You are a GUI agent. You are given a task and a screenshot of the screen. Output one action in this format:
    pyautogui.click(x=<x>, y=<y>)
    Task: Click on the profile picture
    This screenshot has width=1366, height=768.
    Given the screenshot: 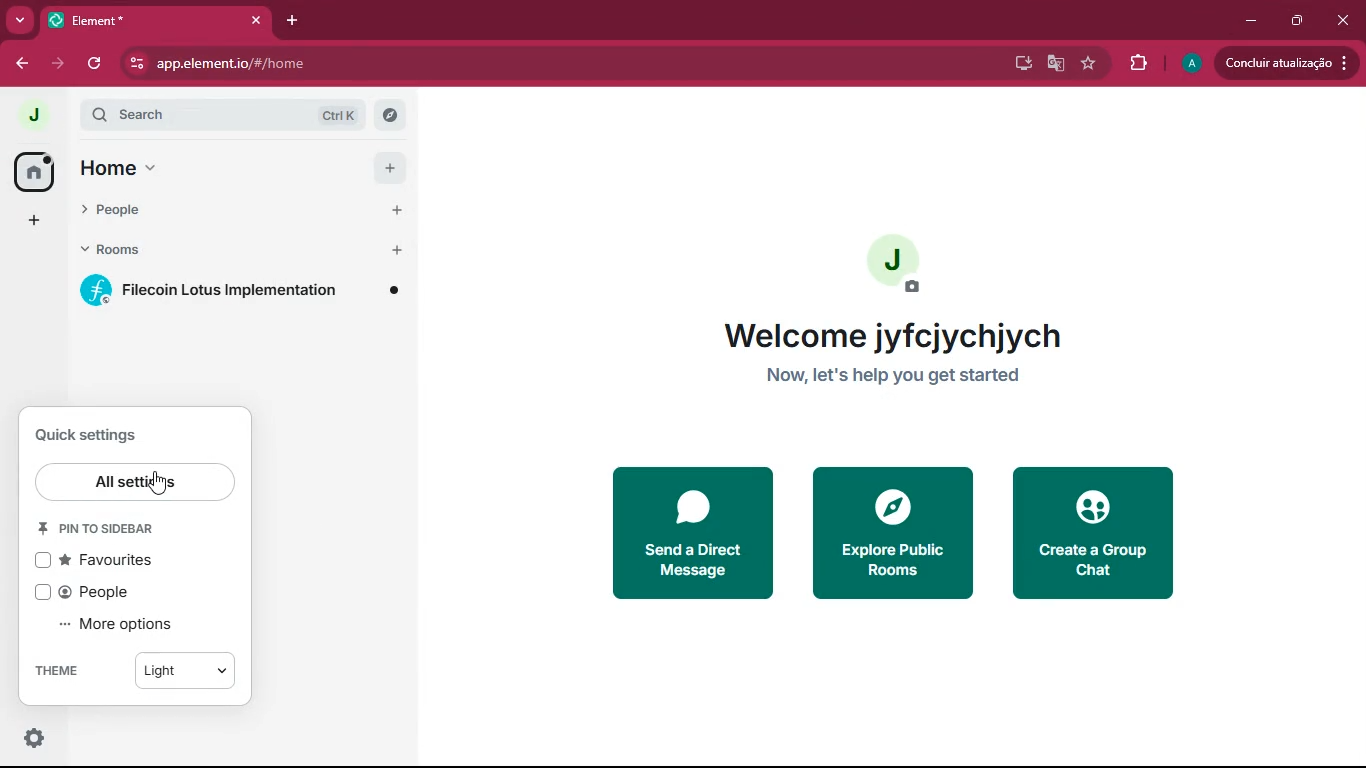 What is the action you would take?
    pyautogui.click(x=27, y=114)
    